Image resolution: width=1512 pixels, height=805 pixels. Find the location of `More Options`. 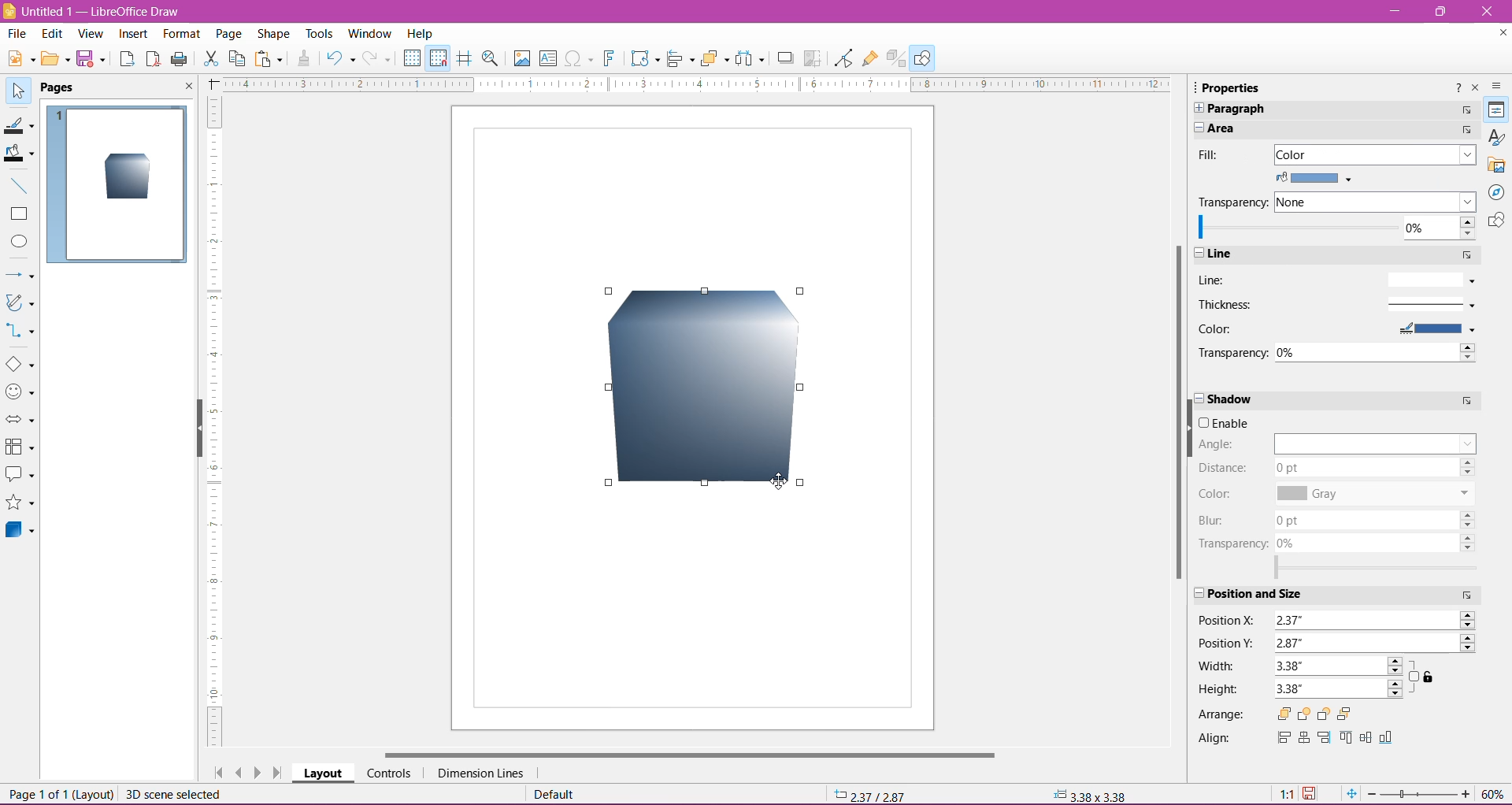

More Options is located at coordinates (1462, 255).